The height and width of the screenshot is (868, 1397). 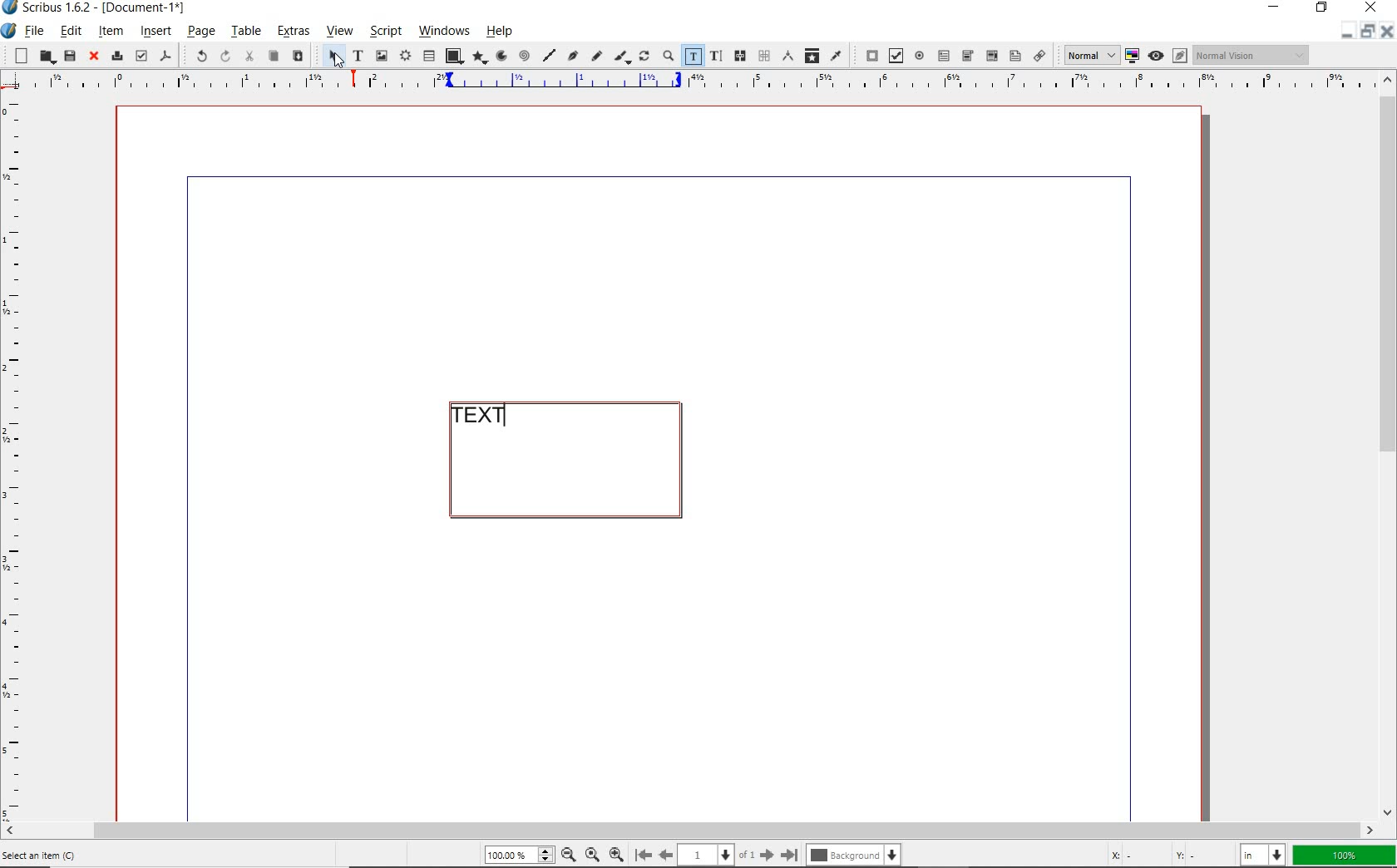 I want to click on measurements, so click(x=786, y=55).